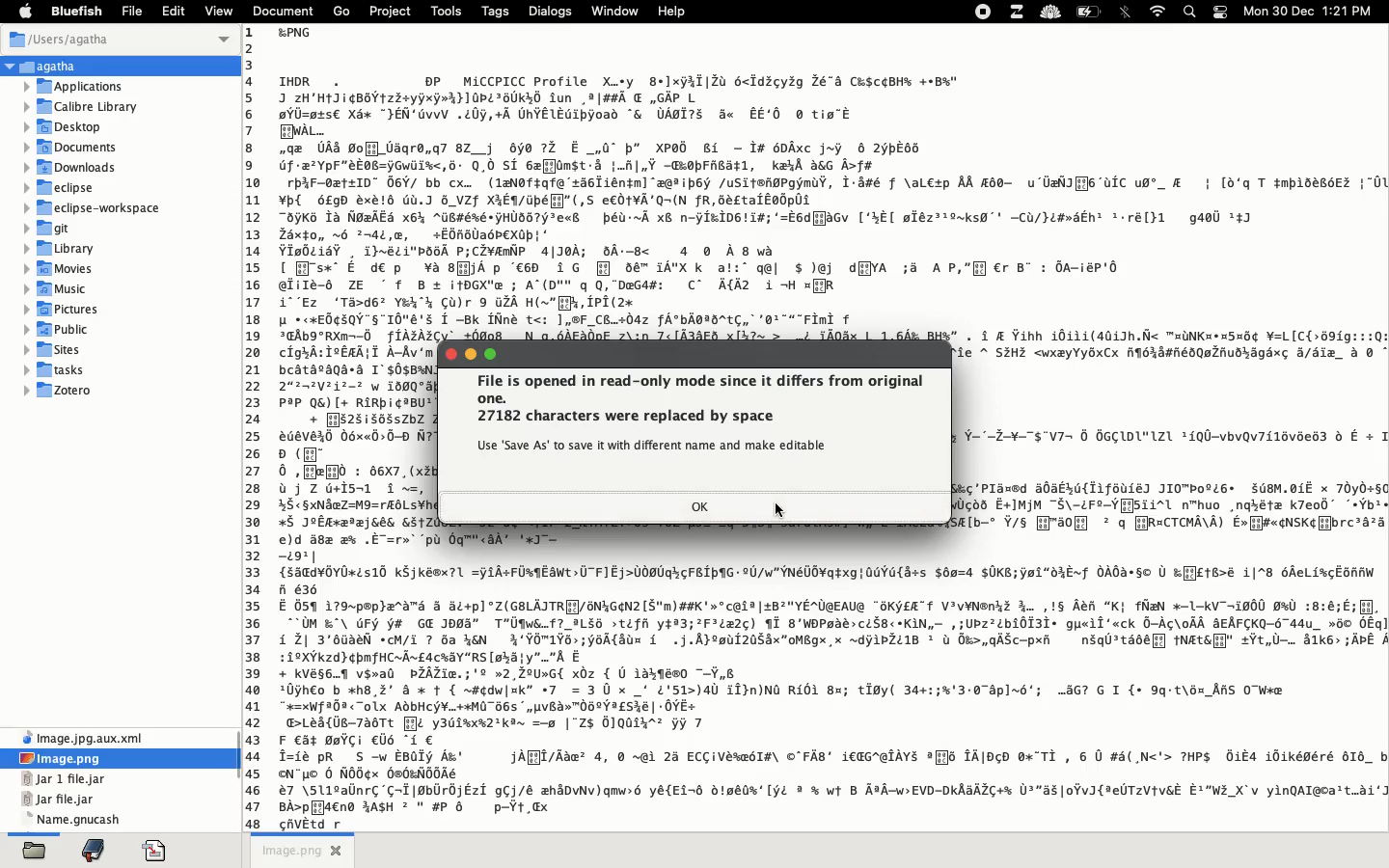 The image size is (1389, 868). What do you see at coordinates (54, 350) in the screenshot?
I see `sites` at bounding box center [54, 350].